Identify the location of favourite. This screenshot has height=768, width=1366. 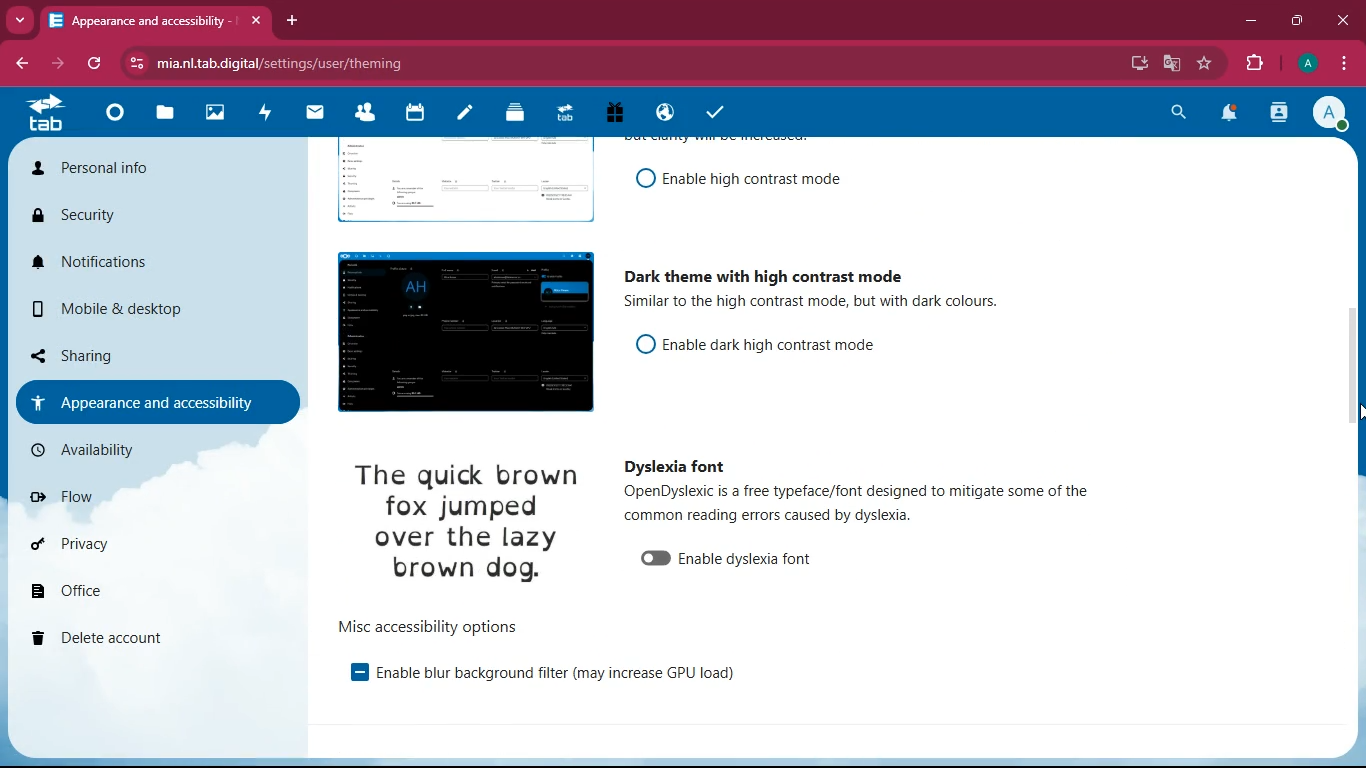
(1201, 64).